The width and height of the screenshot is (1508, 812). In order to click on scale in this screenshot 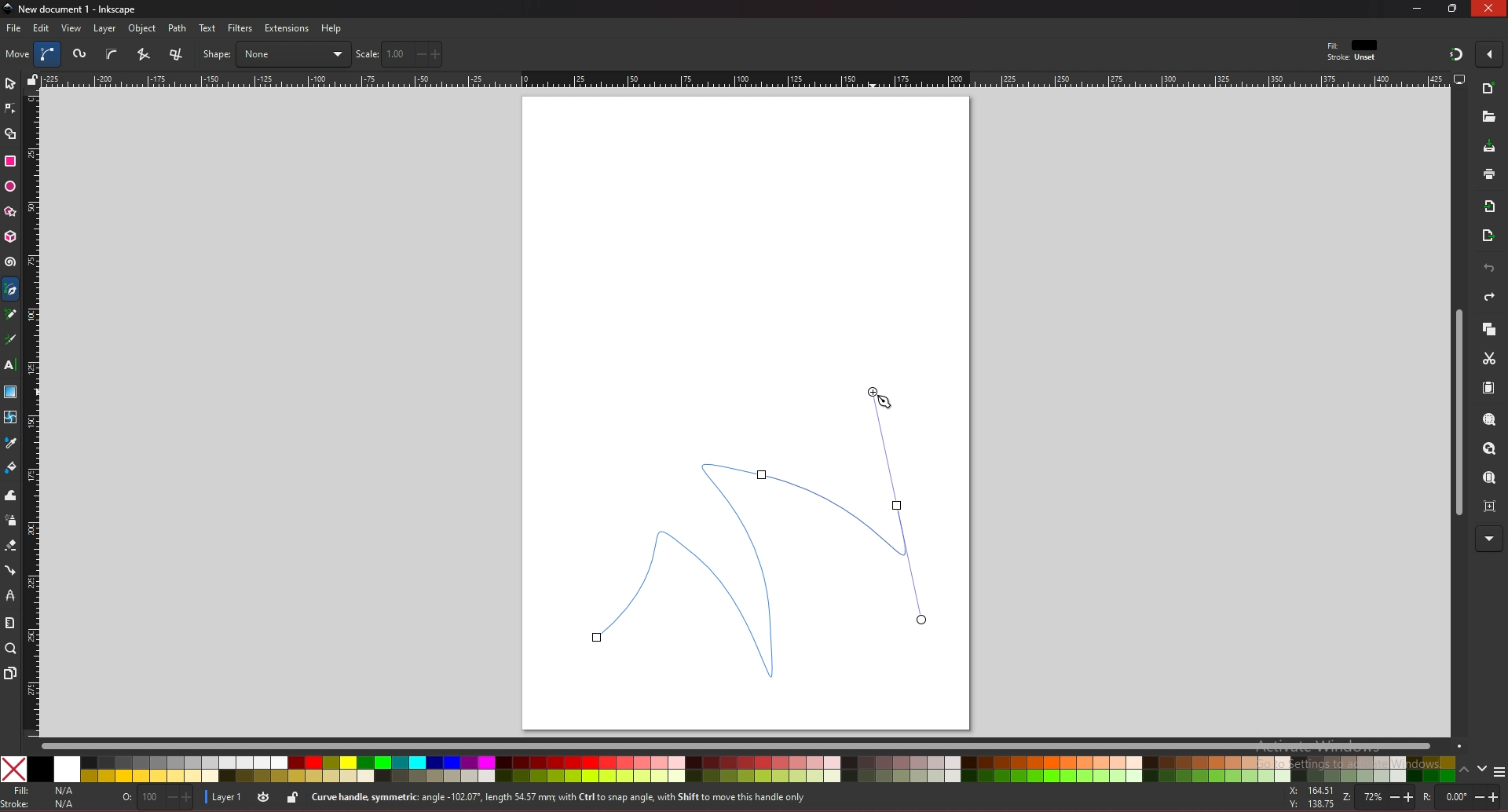, I will do `click(399, 53)`.